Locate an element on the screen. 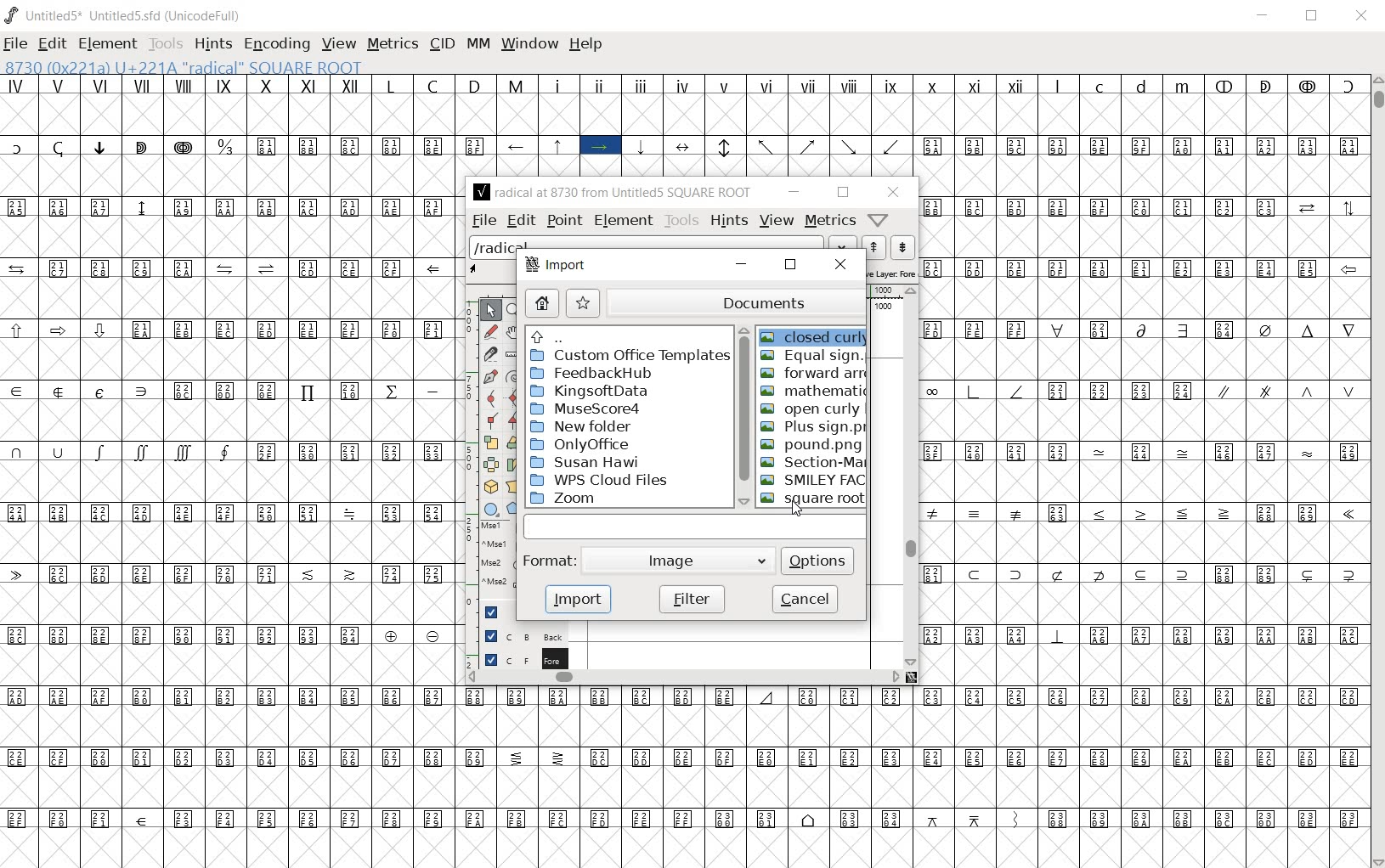  Susan Hawi is located at coordinates (583, 462).